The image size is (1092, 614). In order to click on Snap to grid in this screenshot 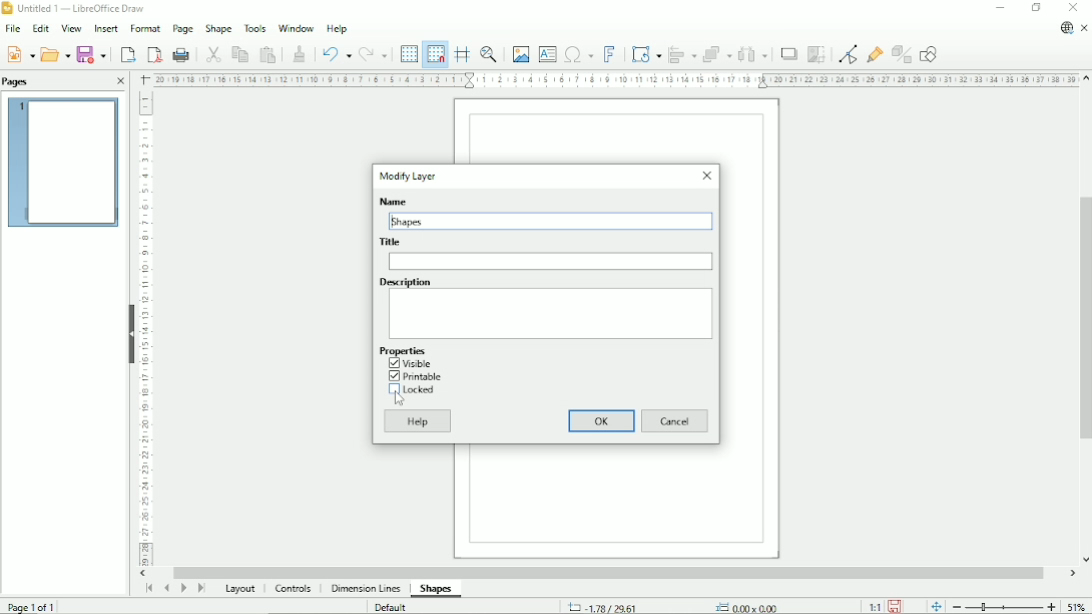, I will do `click(435, 54)`.